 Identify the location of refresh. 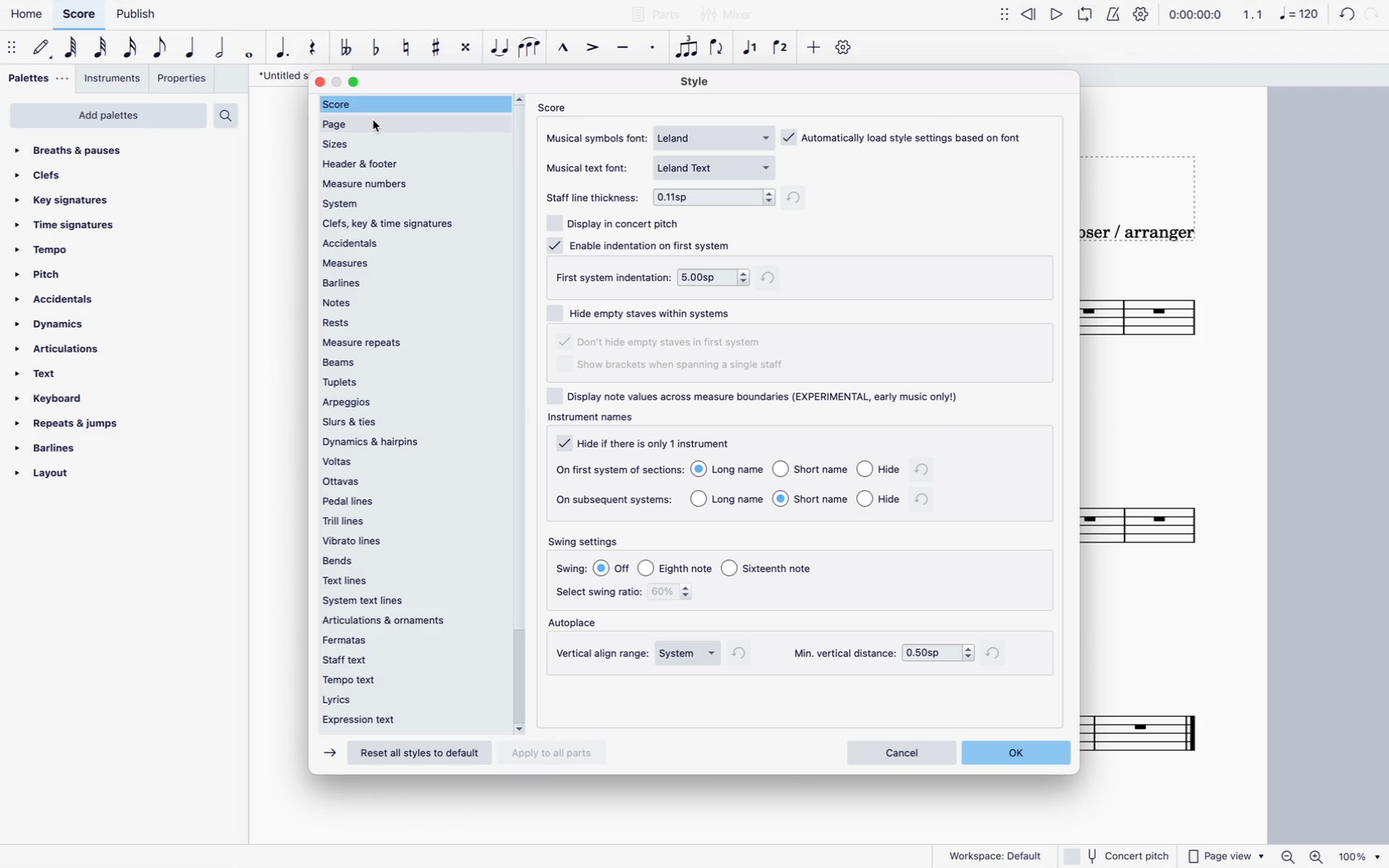
(746, 656).